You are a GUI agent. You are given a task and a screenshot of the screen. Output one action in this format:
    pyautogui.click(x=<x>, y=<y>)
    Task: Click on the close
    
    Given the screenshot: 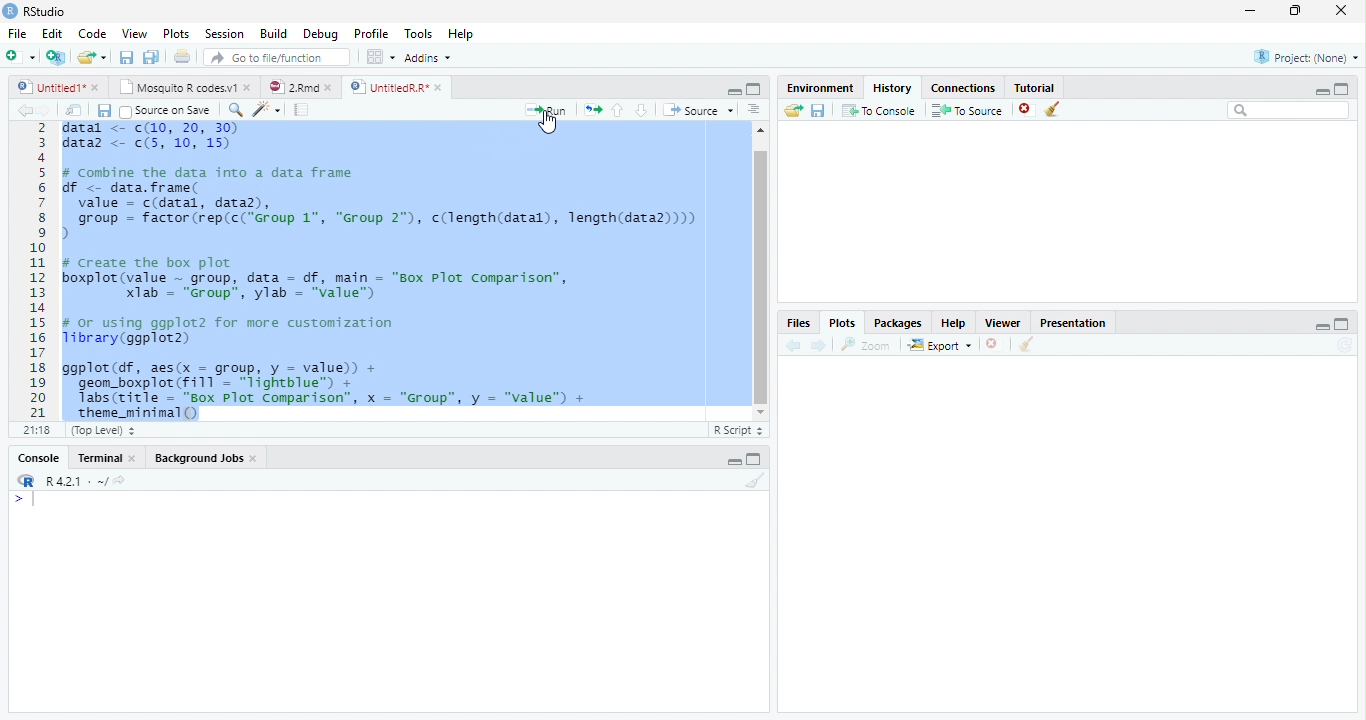 What is the action you would take?
    pyautogui.click(x=439, y=87)
    